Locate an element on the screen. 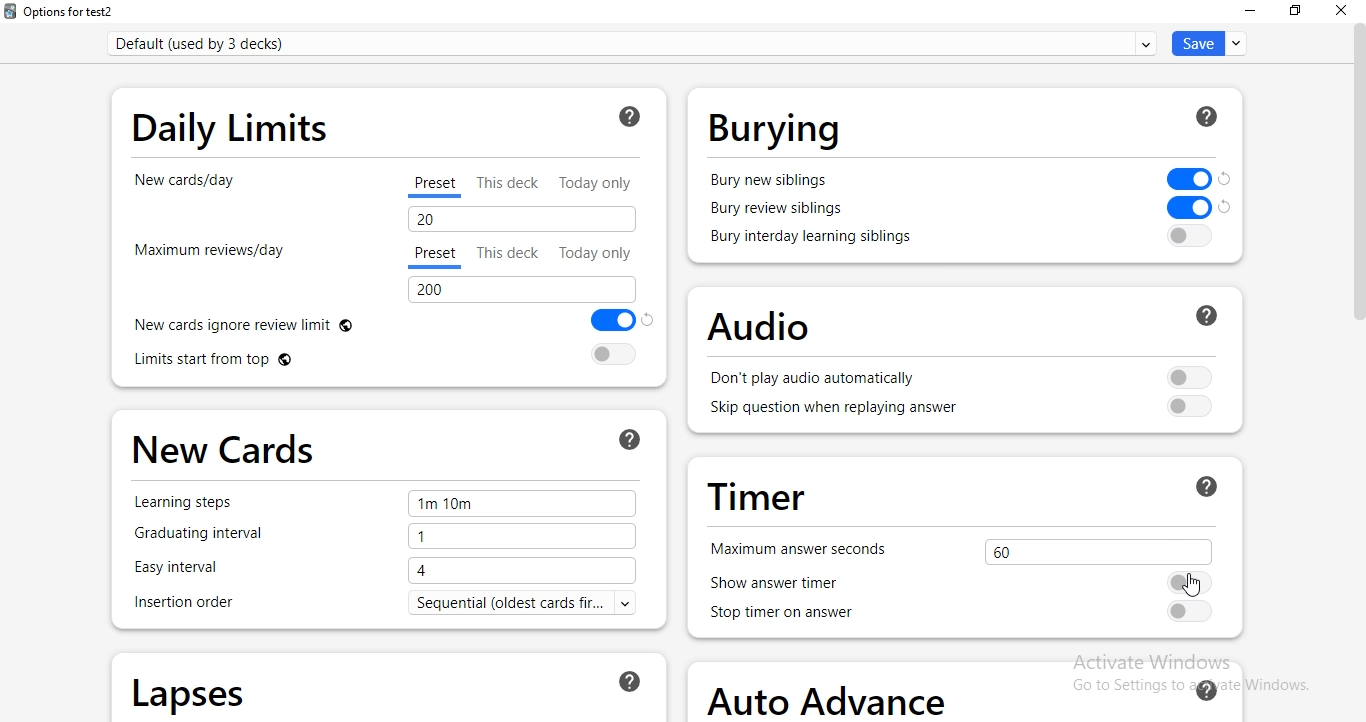 Image resolution: width=1366 pixels, height=722 pixels. today only is located at coordinates (600, 181).